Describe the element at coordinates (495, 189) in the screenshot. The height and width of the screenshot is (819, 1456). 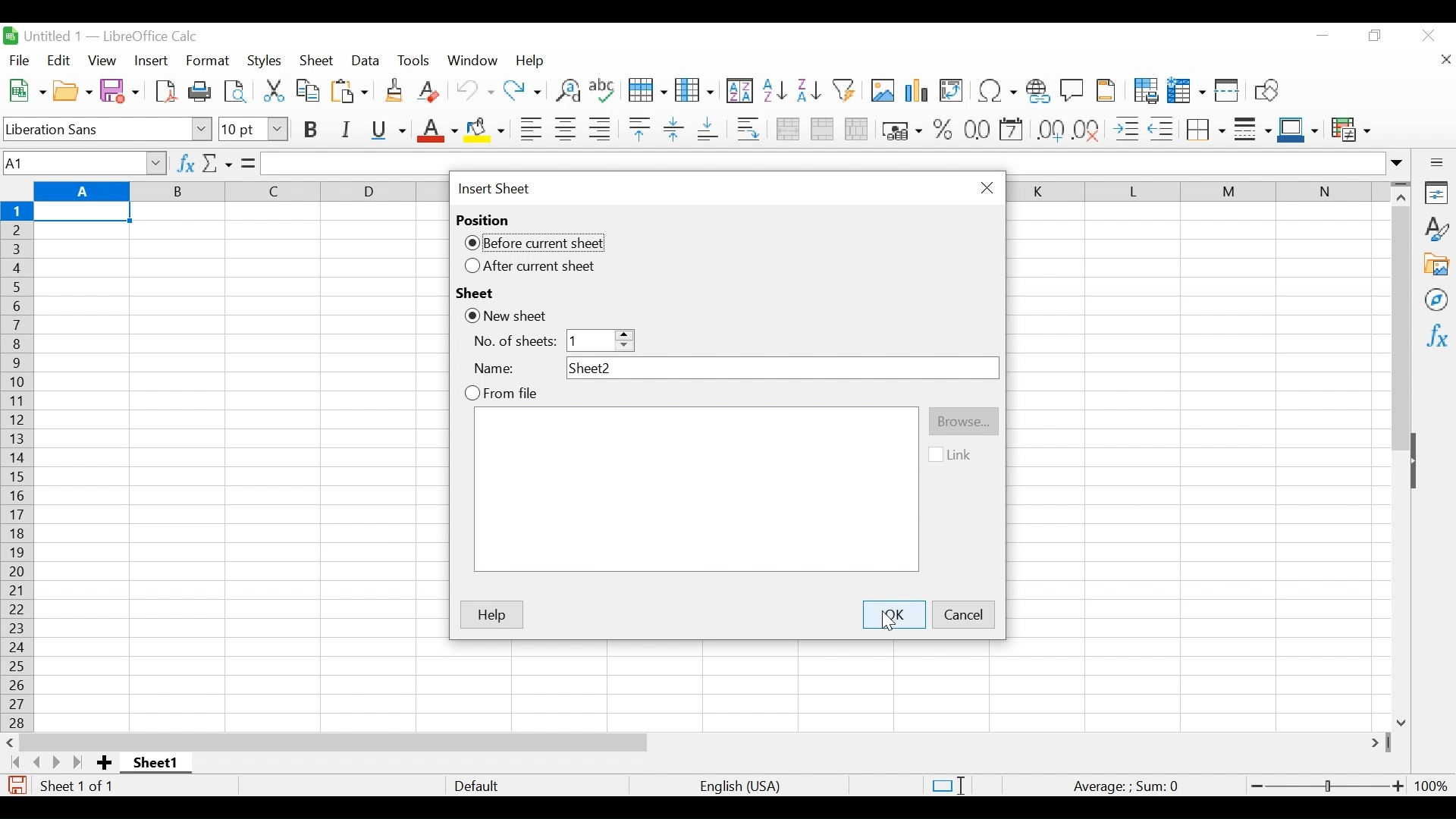
I see `Insert Sheet` at that location.